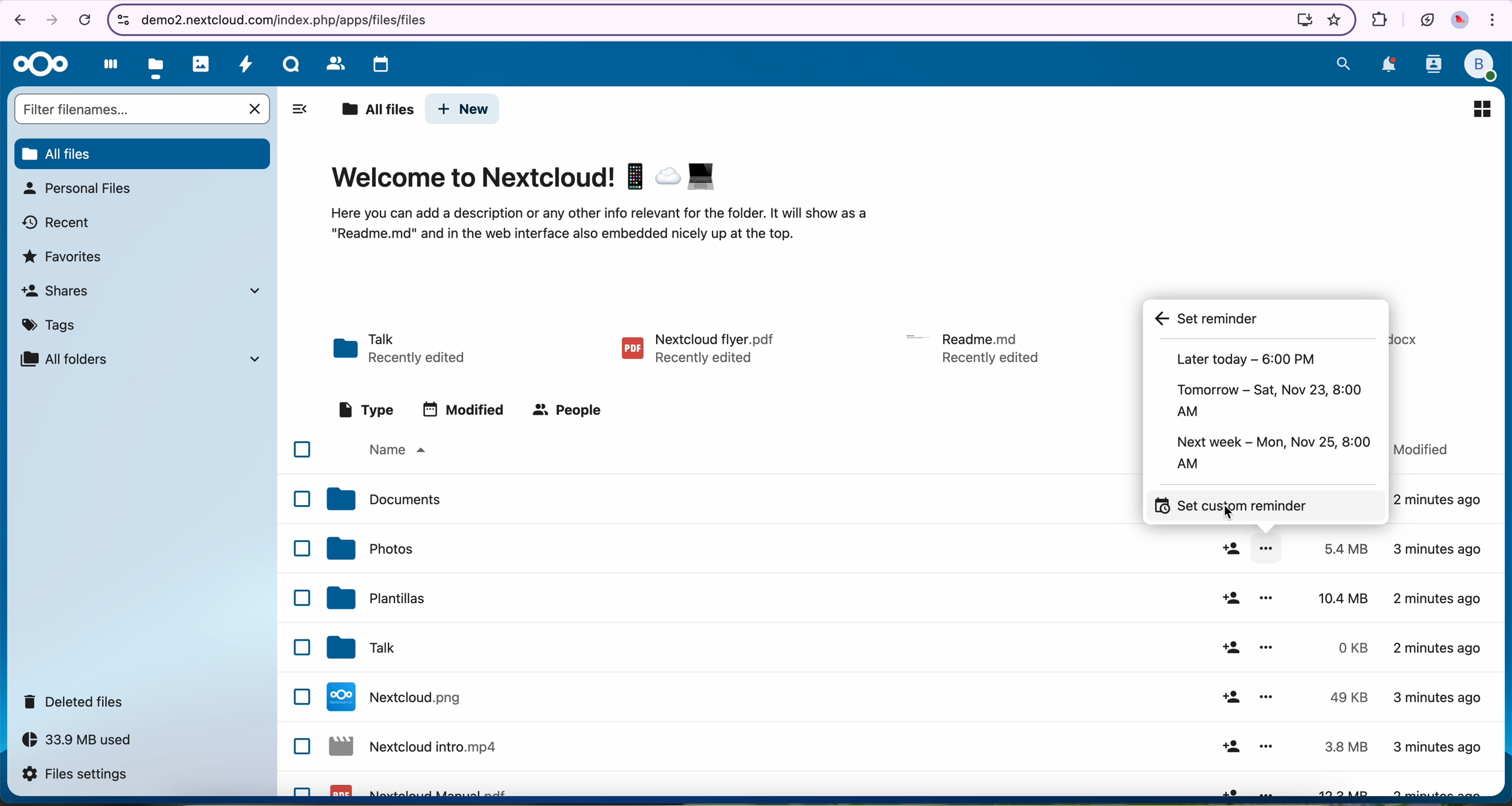  What do you see at coordinates (570, 412) in the screenshot?
I see `people` at bounding box center [570, 412].